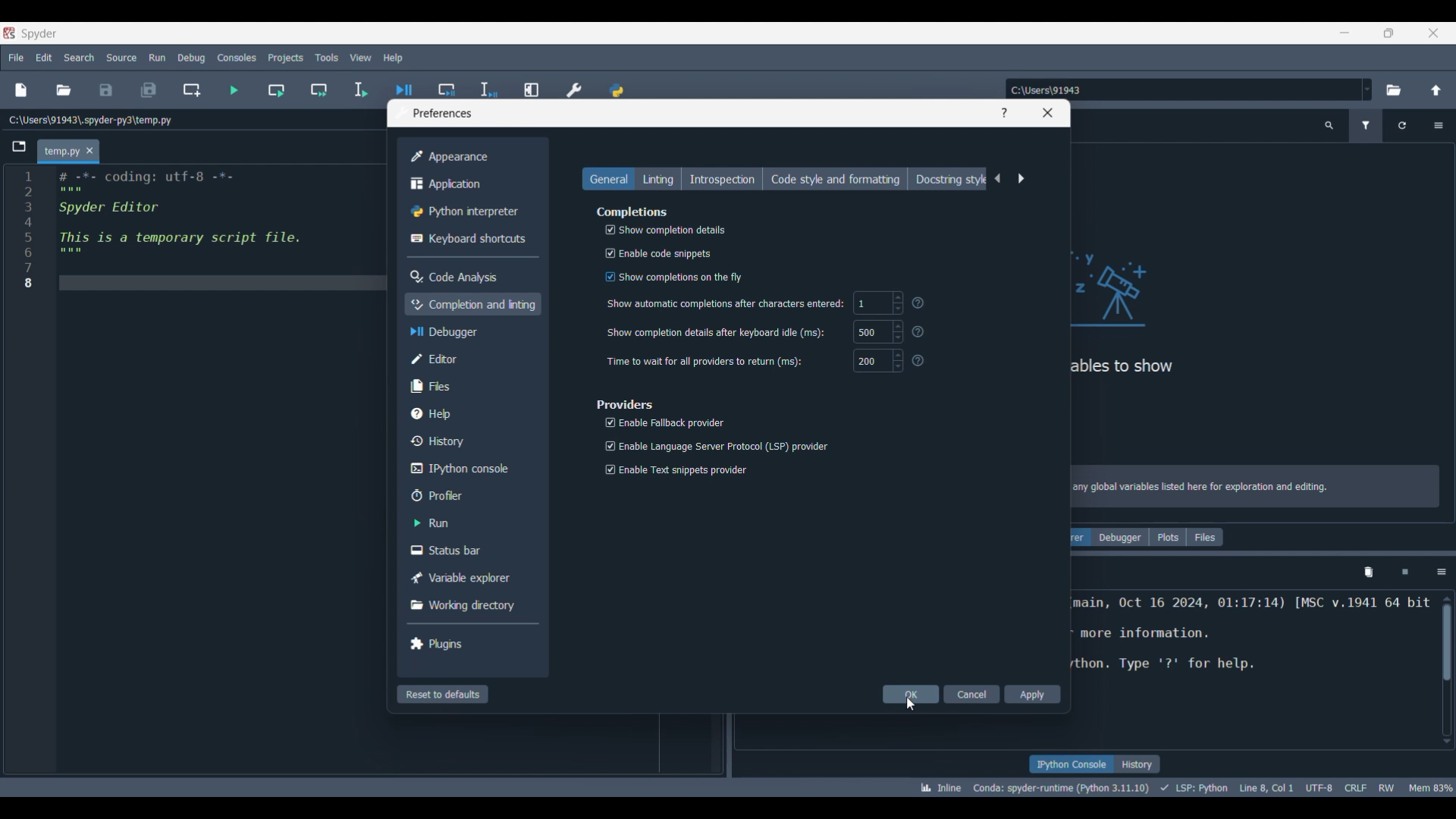  I want to click on Files, so click(1205, 537).